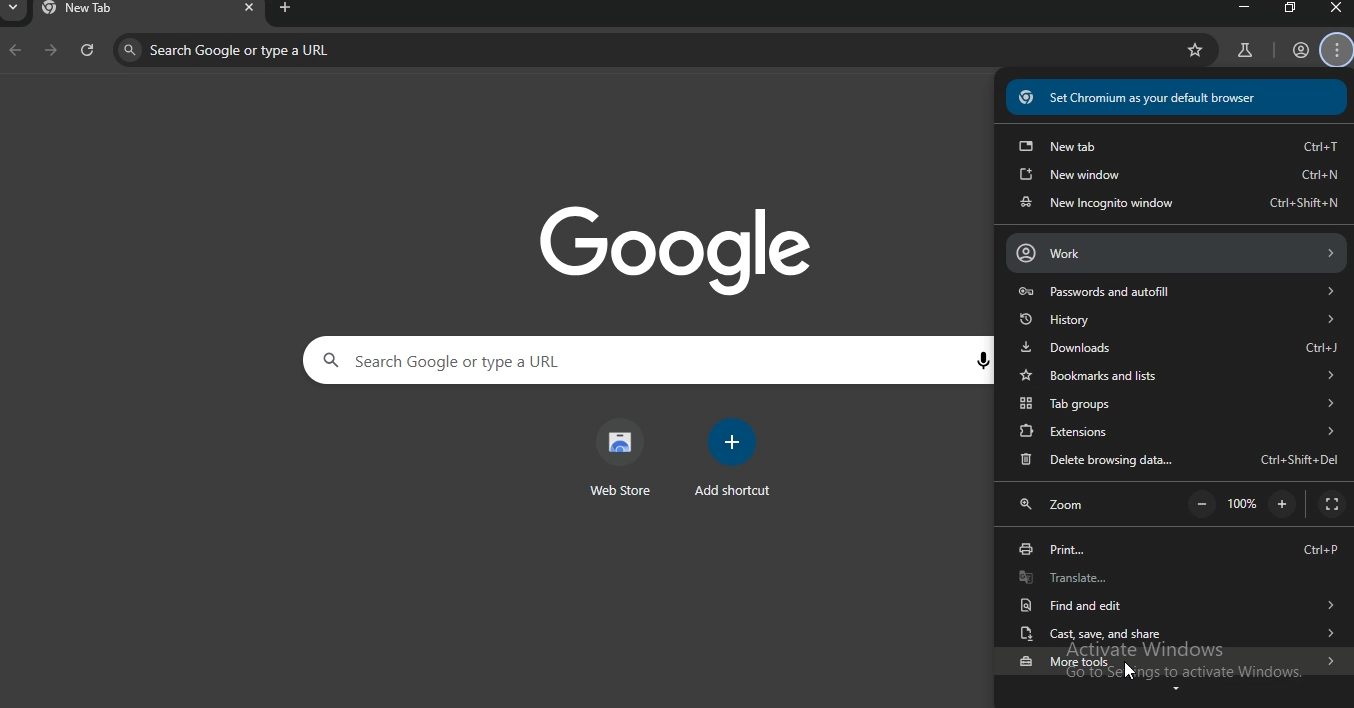  Describe the element at coordinates (1172, 293) in the screenshot. I see `passwords and autofill` at that location.